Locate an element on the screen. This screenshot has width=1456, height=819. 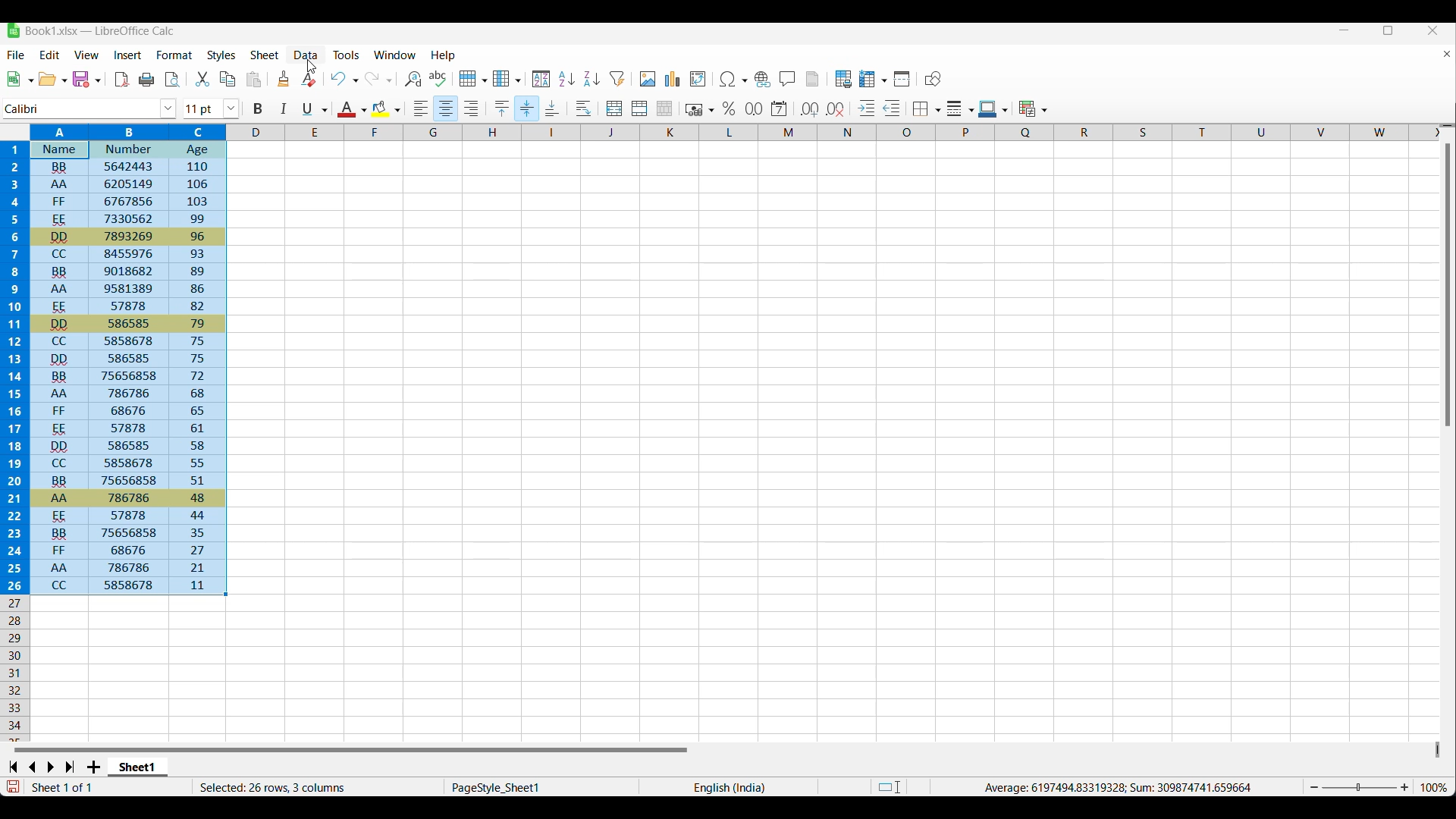
Print is located at coordinates (146, 80).